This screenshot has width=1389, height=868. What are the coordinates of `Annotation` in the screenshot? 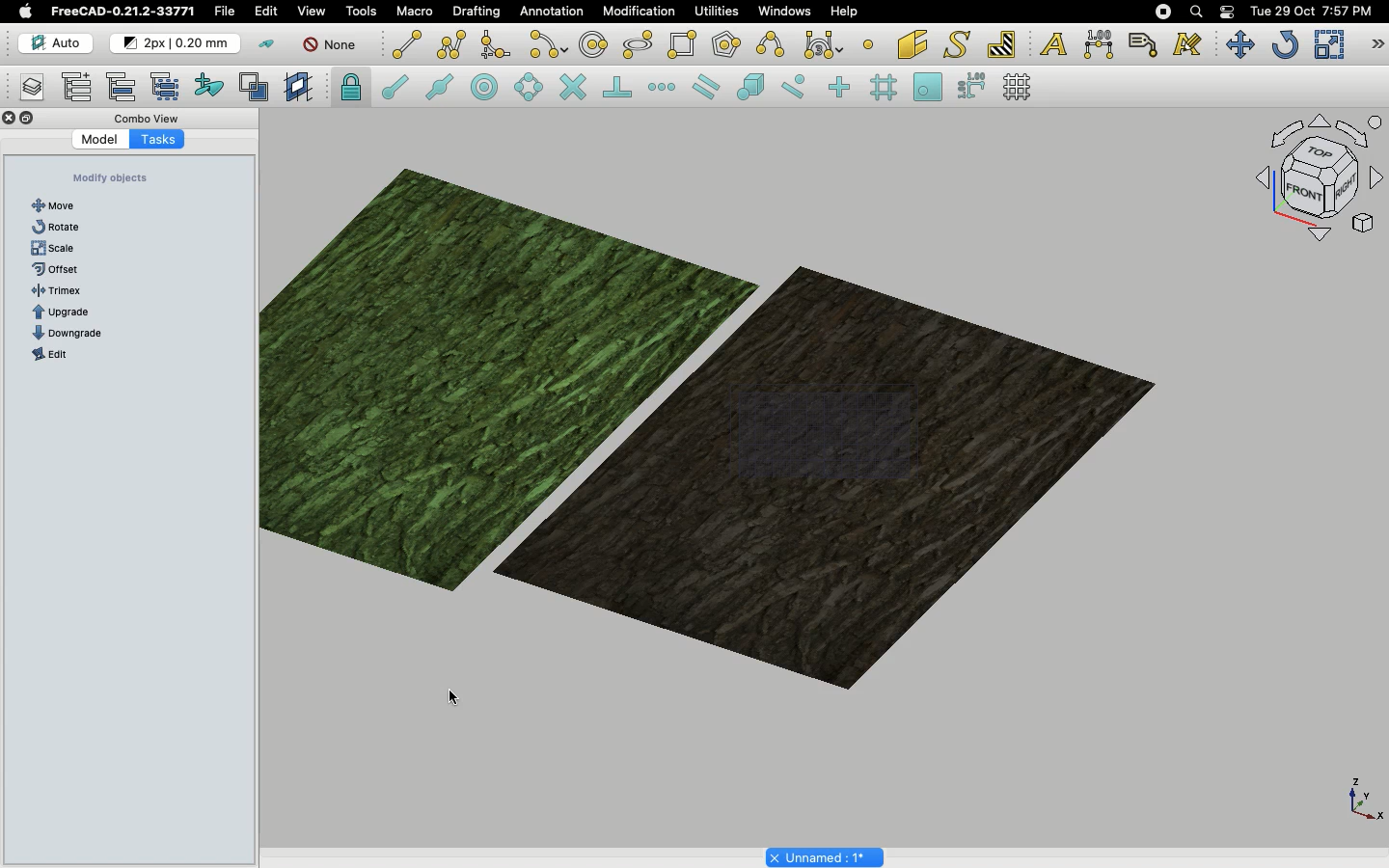 It's located at (552, 11).